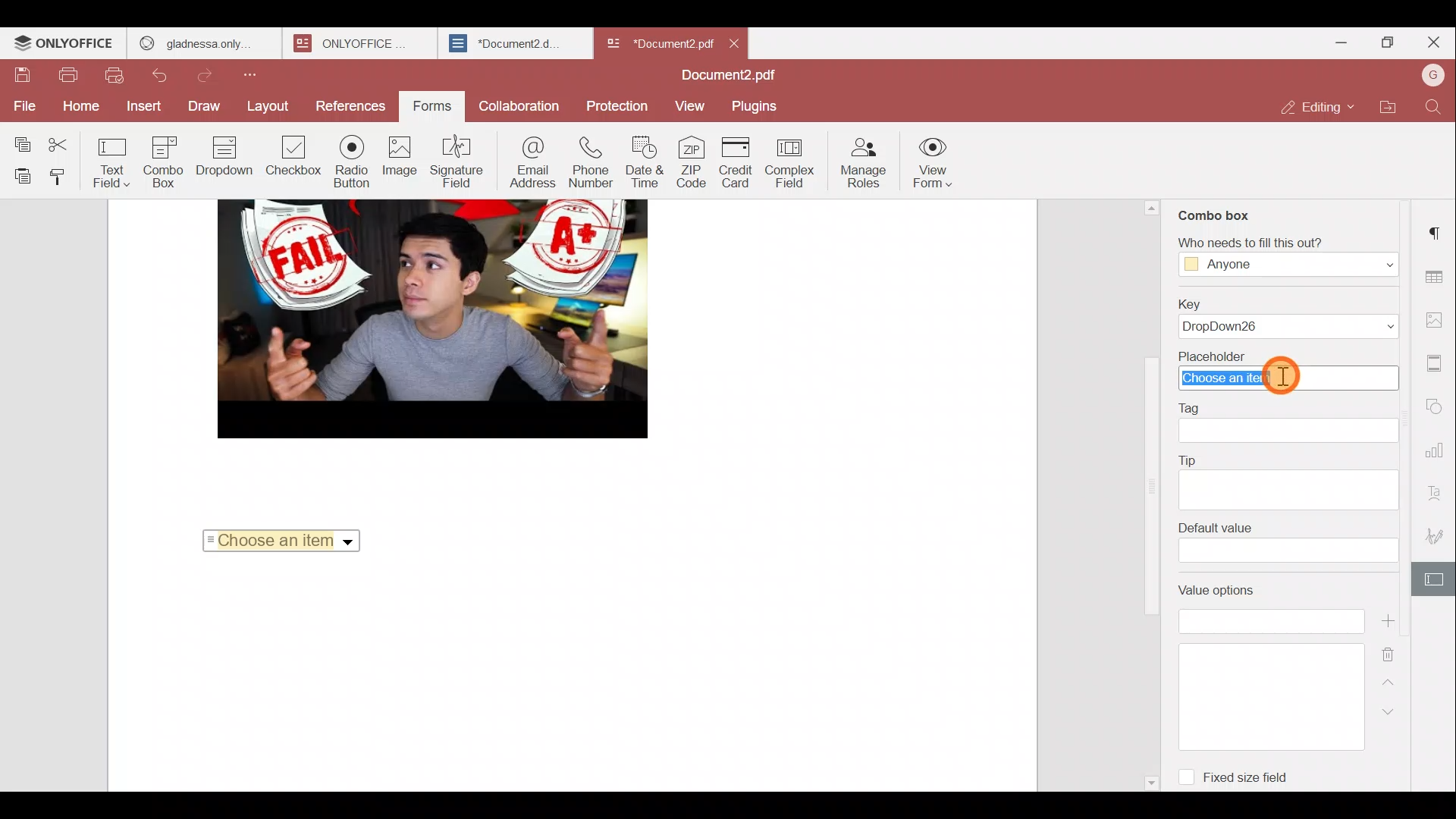  What do you see at coordinates (1216, 212) in the screenshot?
I see `Combo box` at bounding box center [1216, 212].